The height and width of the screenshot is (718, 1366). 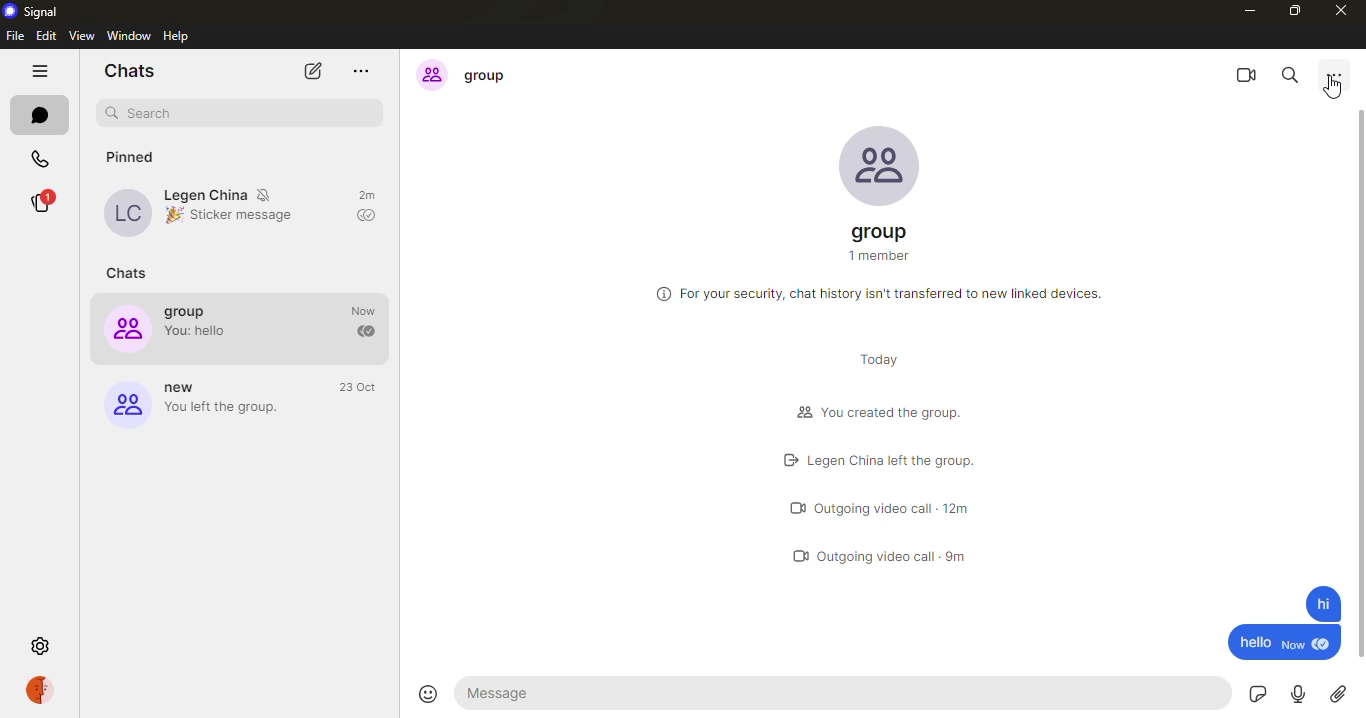 I want to click on settings, so click(x=38, y=644).